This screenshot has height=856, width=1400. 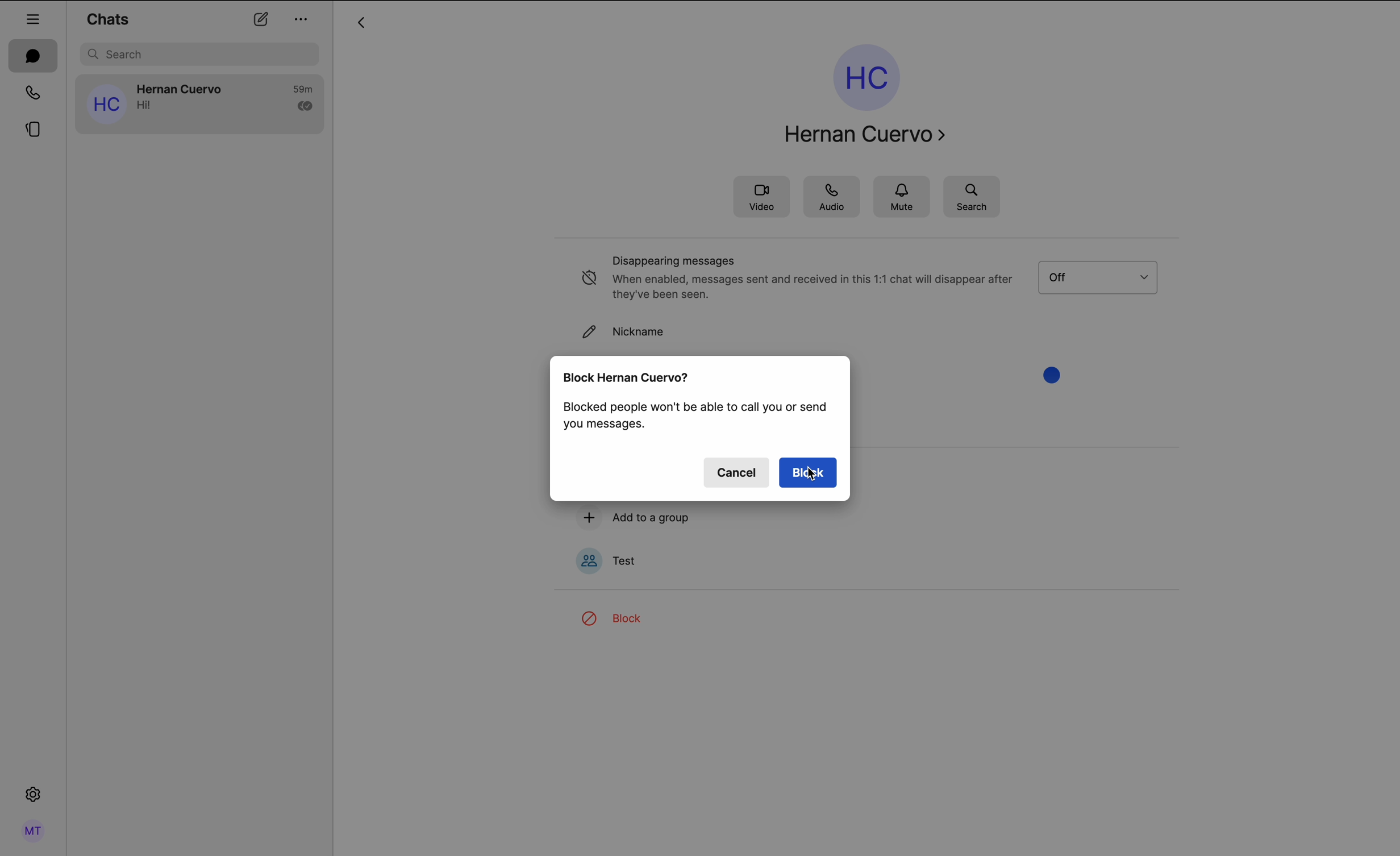 I want to click on search bar, so click(x=202, y=54).